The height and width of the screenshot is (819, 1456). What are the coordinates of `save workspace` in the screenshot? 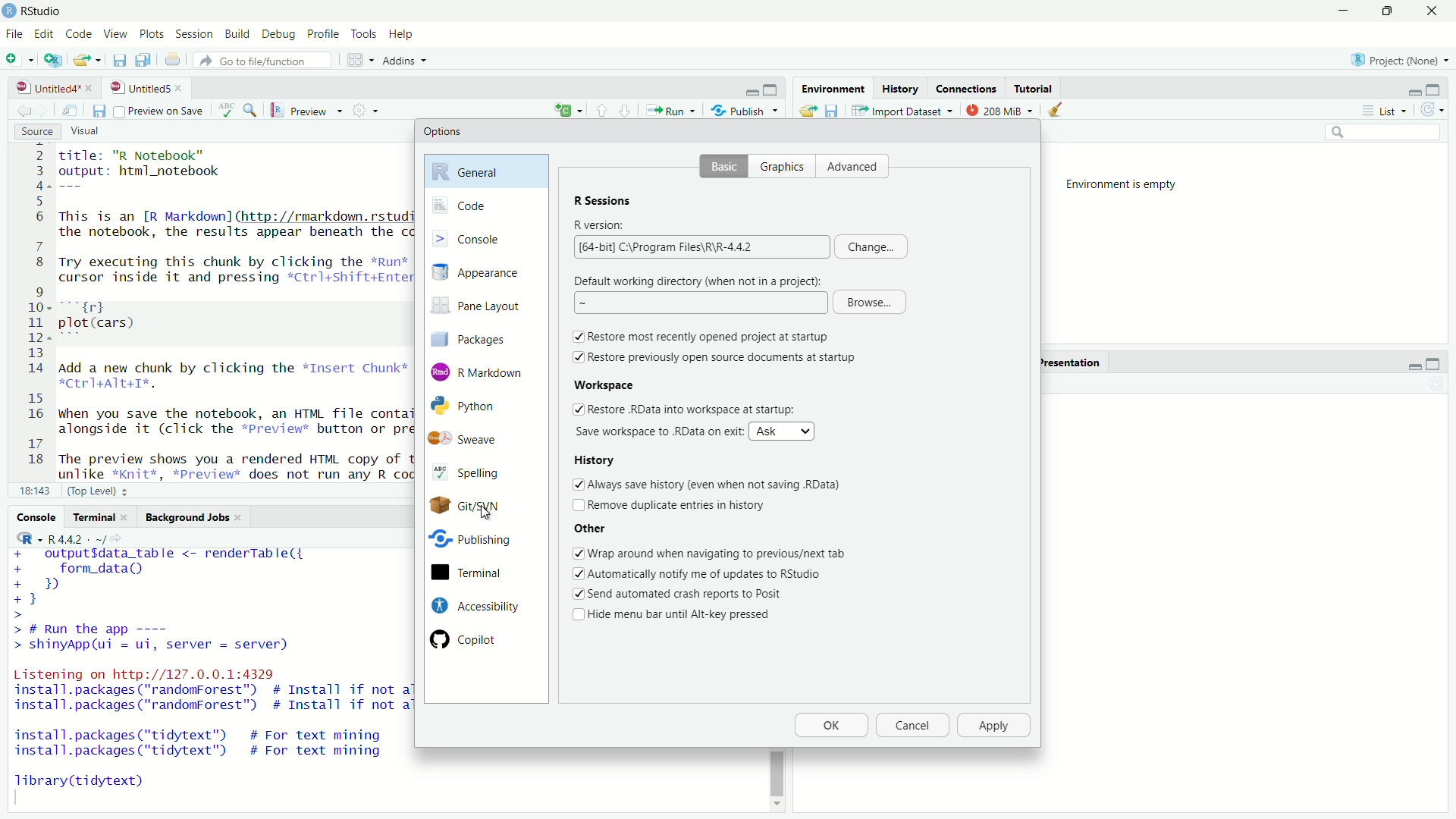 It's located at (832, 110).